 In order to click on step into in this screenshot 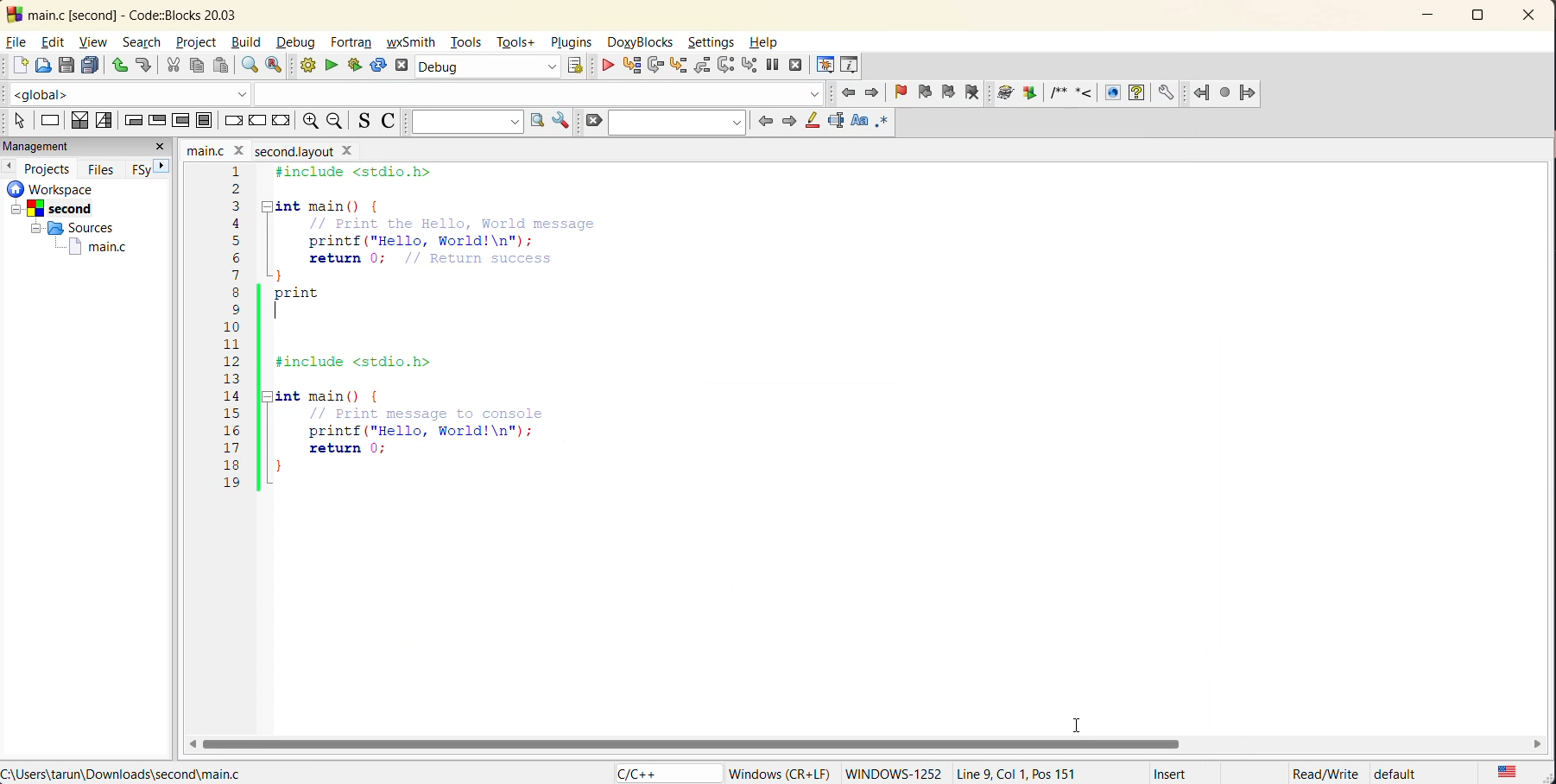, I will do `click(681, 66)`.